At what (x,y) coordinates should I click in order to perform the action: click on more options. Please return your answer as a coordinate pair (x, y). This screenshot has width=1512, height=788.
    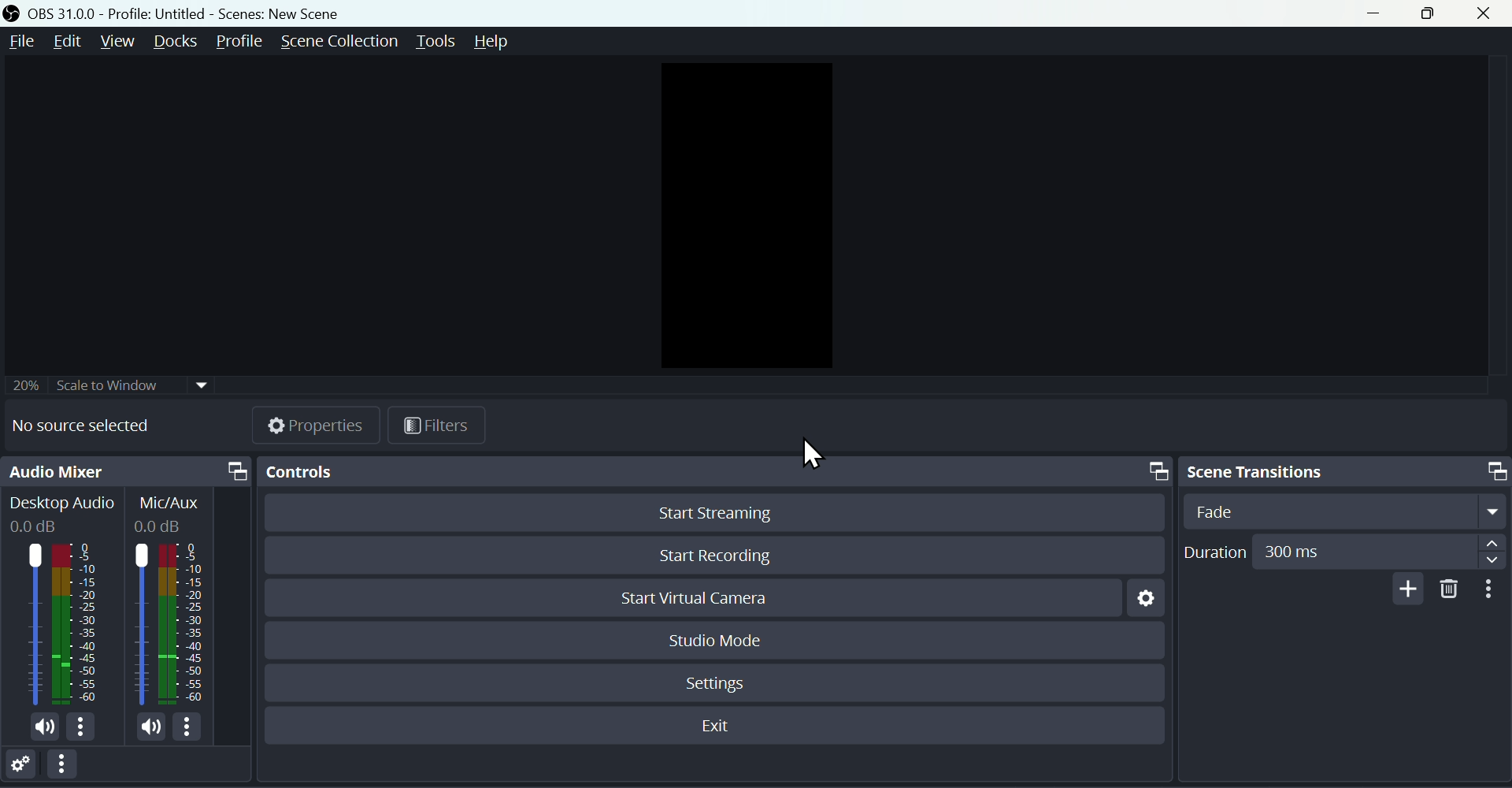
    Looking at the image, I should click on (87, 730).